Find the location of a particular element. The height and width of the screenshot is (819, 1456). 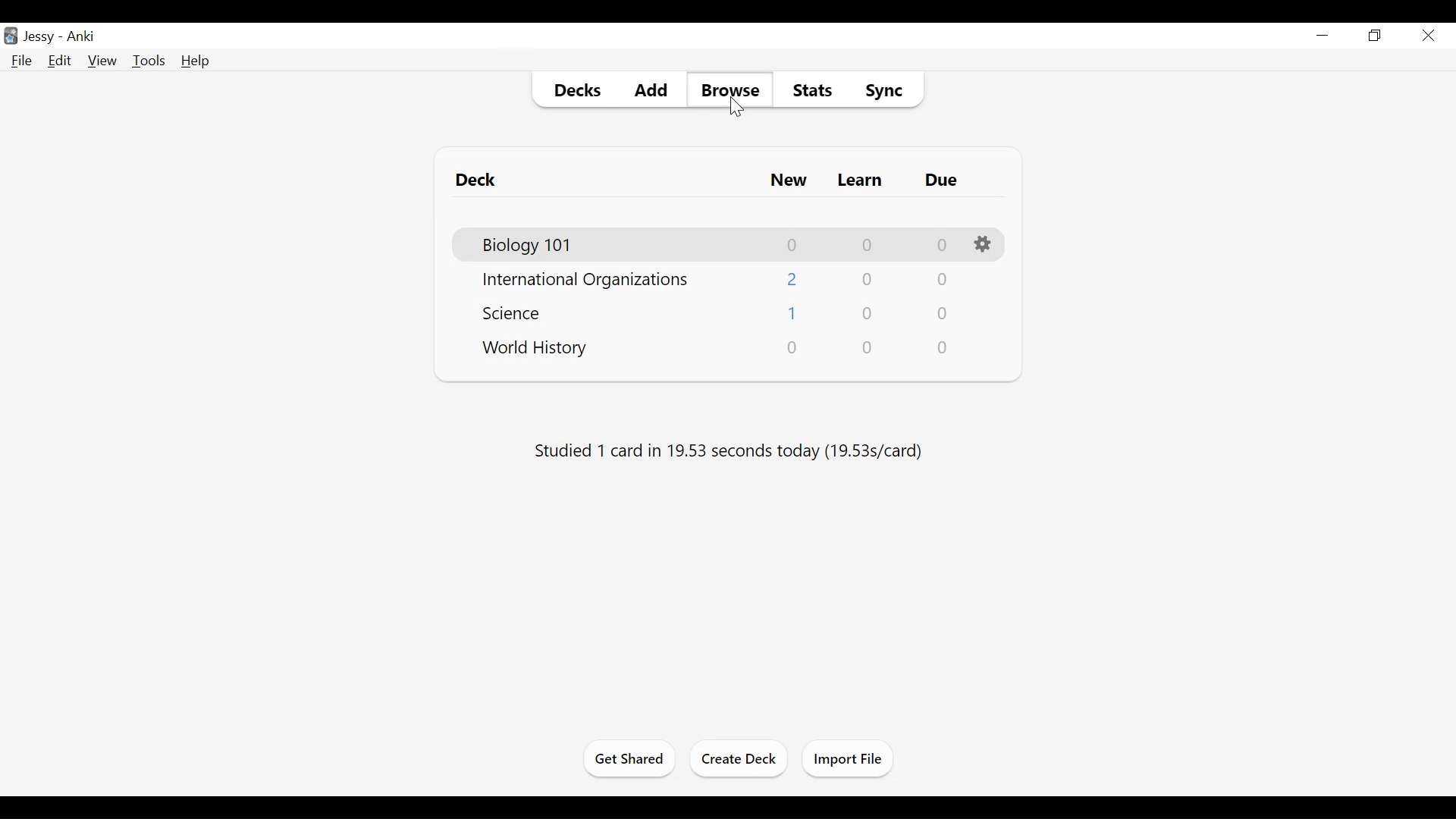

Help is located at coordinates (196, 61).